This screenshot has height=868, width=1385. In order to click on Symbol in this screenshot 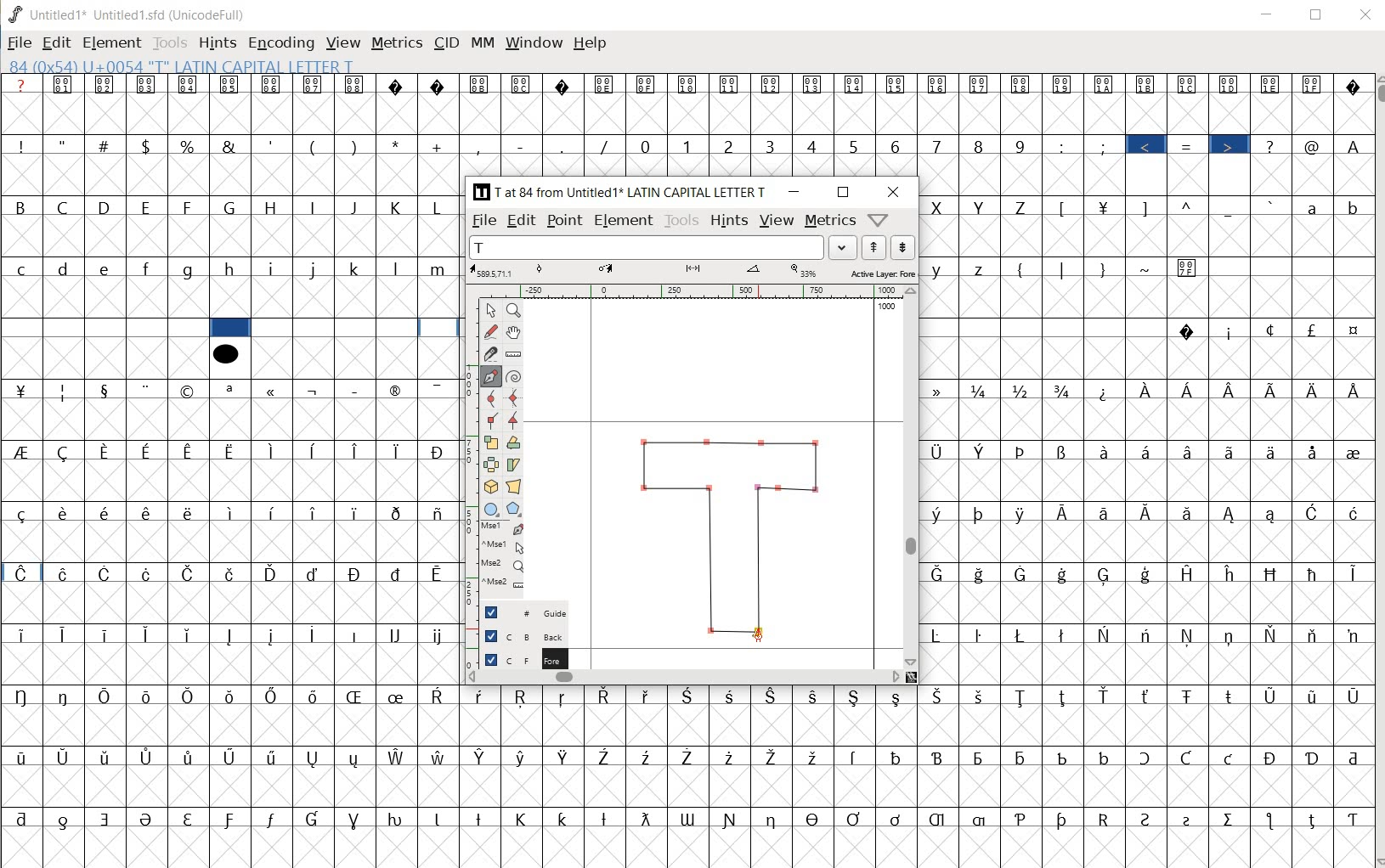, I will do `click(1147, 635)`.